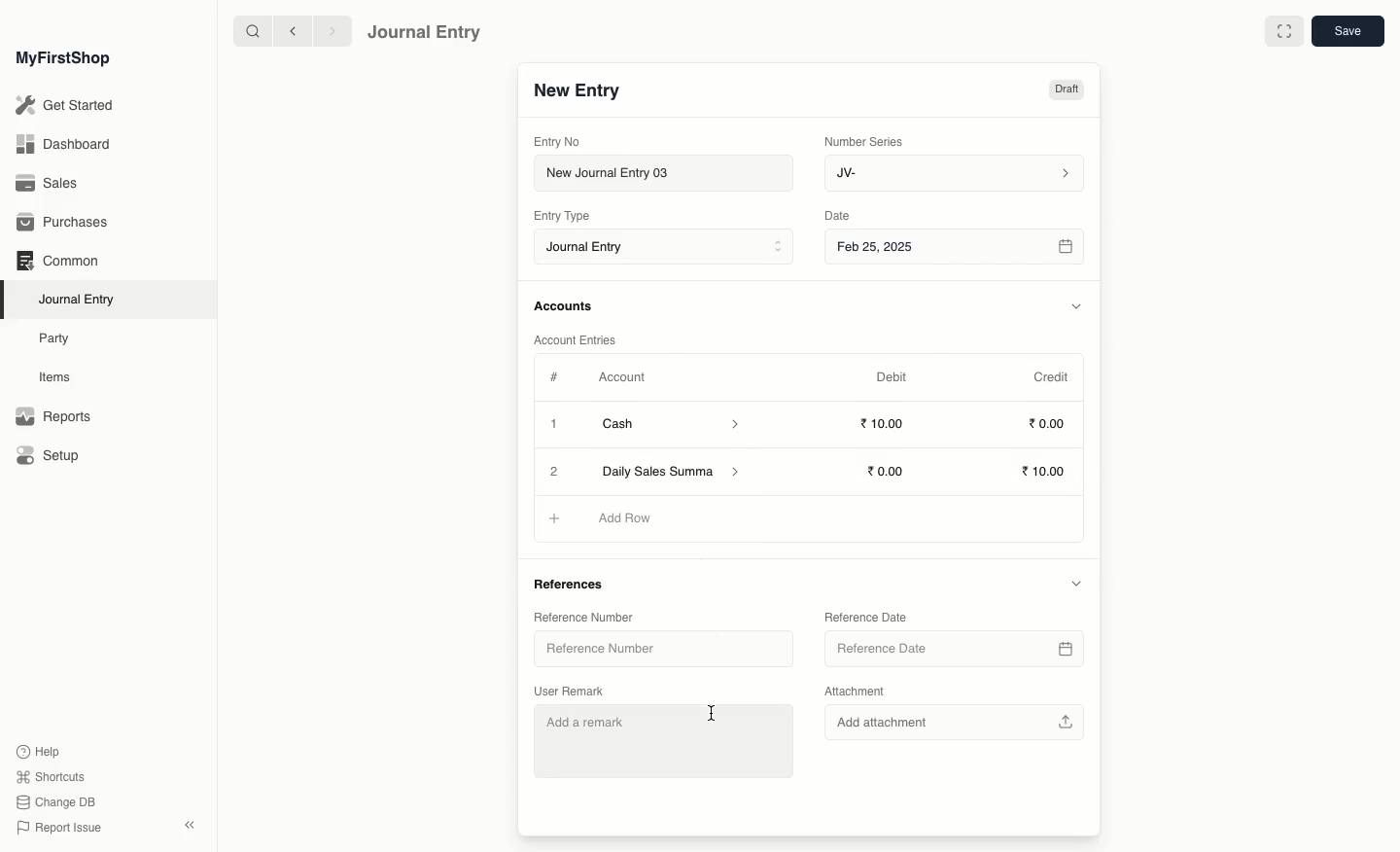 This screenshot has width=1400, height=852. Describe the element at coordinates (956, 246) in the screenshot. I see `Feb 25, 2025 8` at that location.